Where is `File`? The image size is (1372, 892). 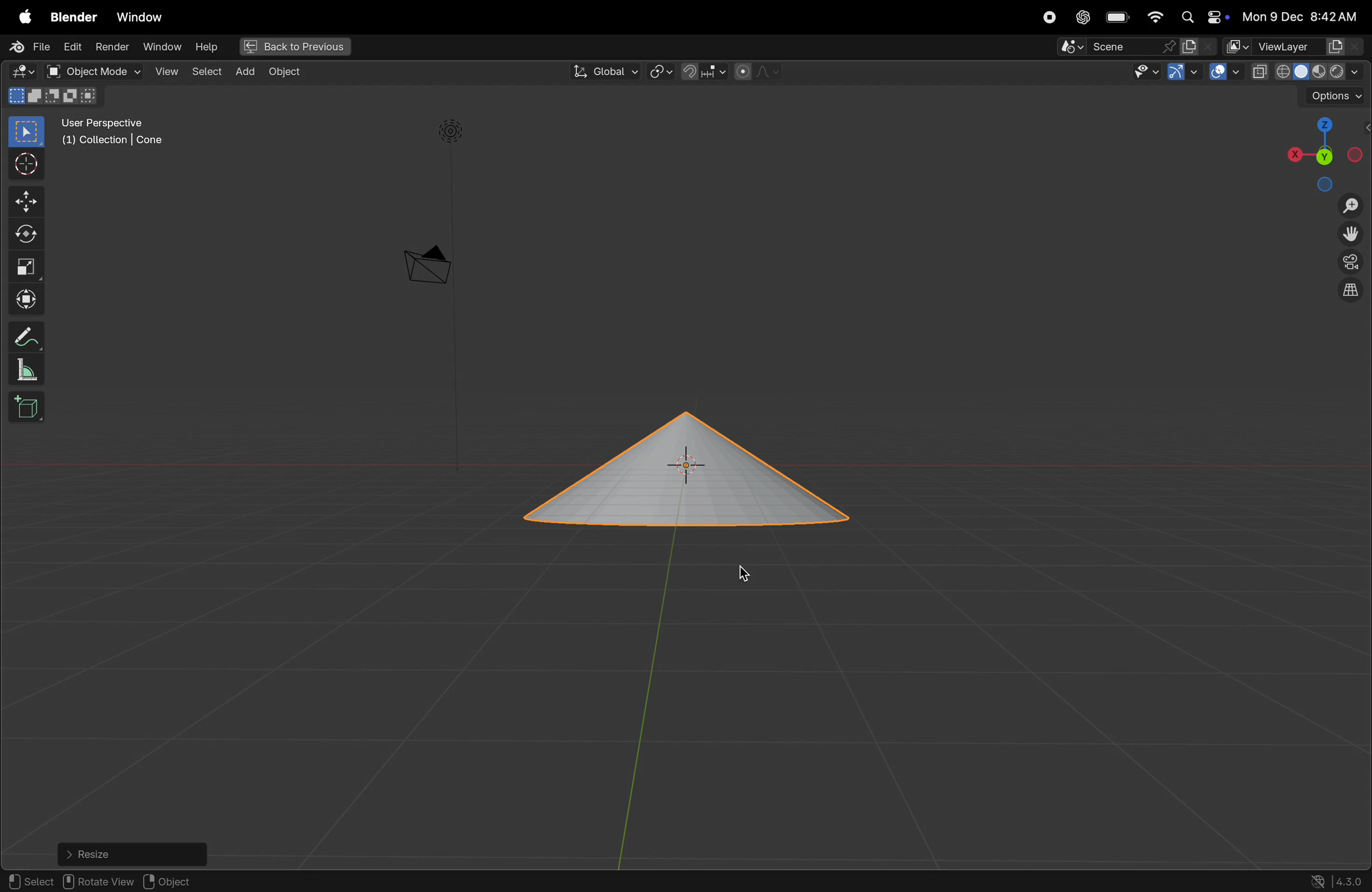
File is located at coordinates (29, 46).